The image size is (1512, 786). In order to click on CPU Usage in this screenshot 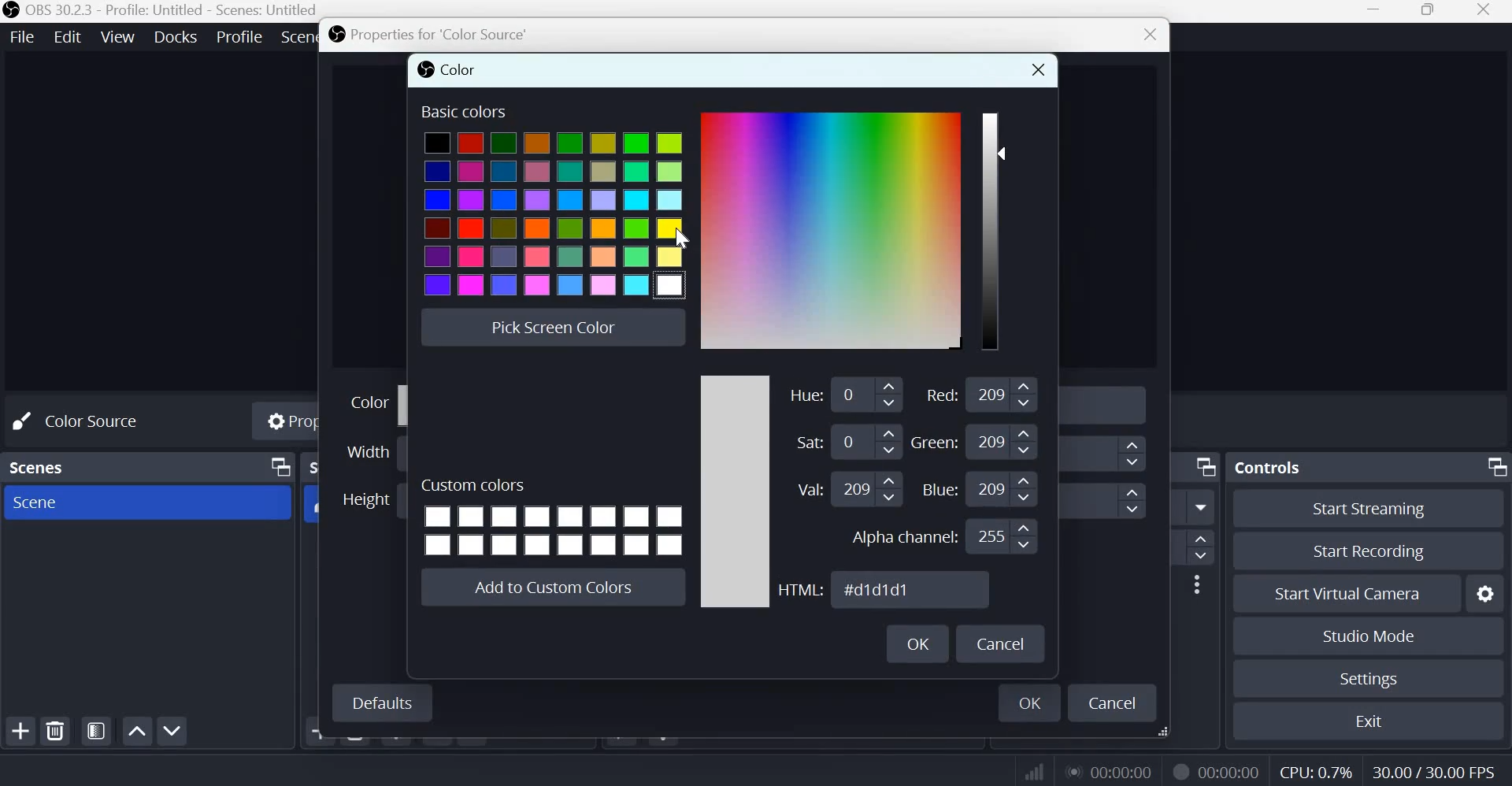, I will do `click(1314, 773)`.